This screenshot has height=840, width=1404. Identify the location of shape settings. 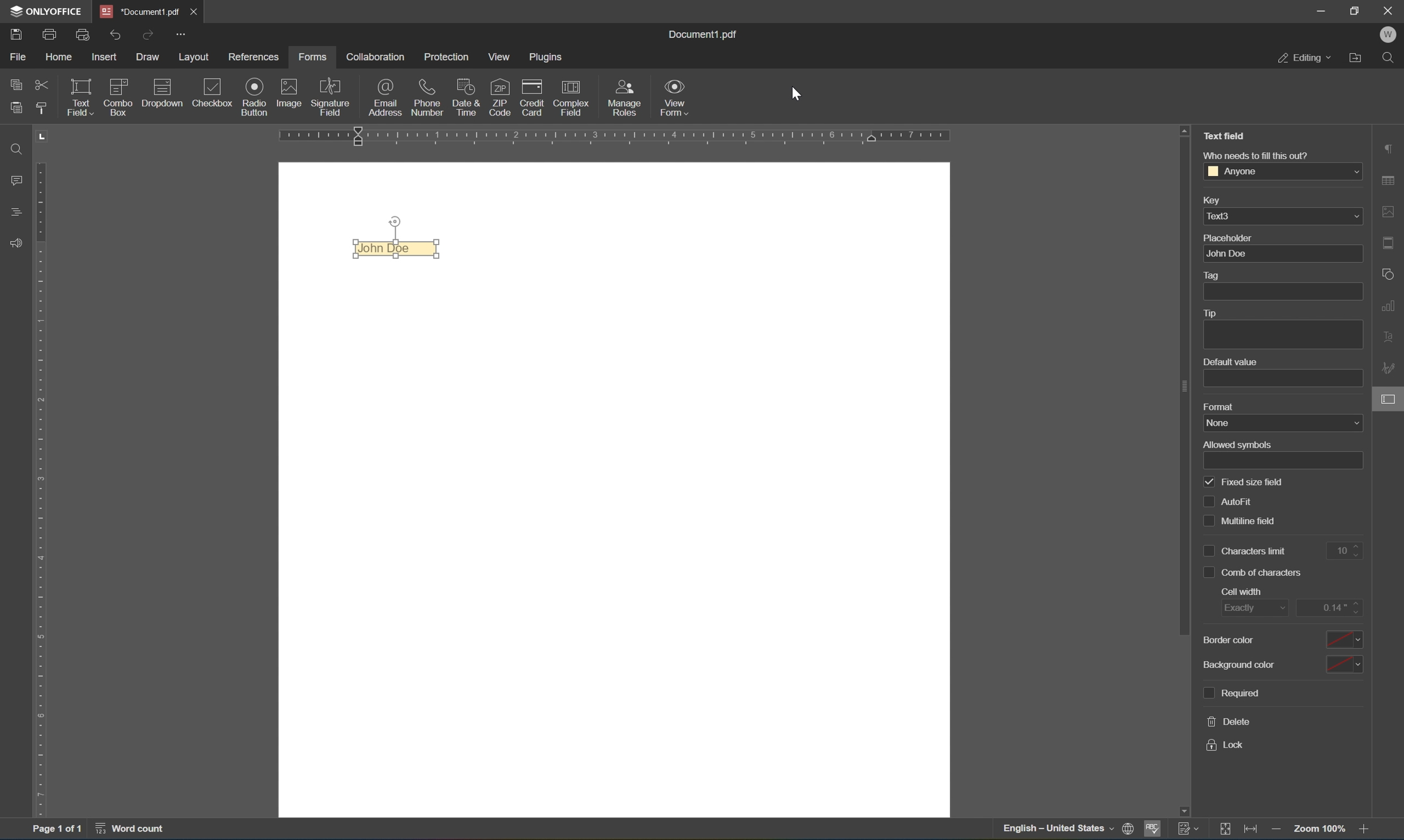
(1388, 273).